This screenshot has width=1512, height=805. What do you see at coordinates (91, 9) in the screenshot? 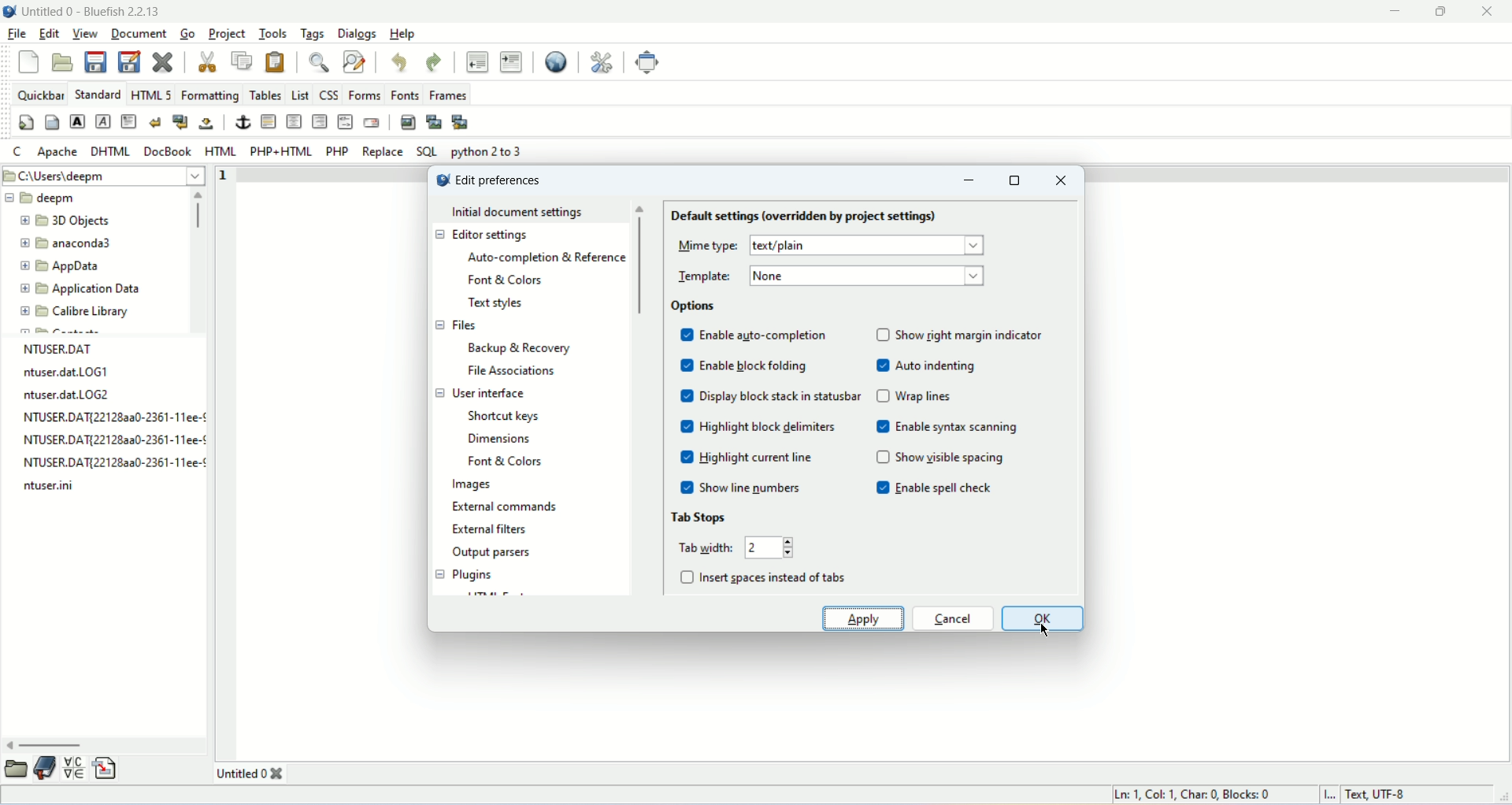
I see `title` at bounding box center [91, 9].